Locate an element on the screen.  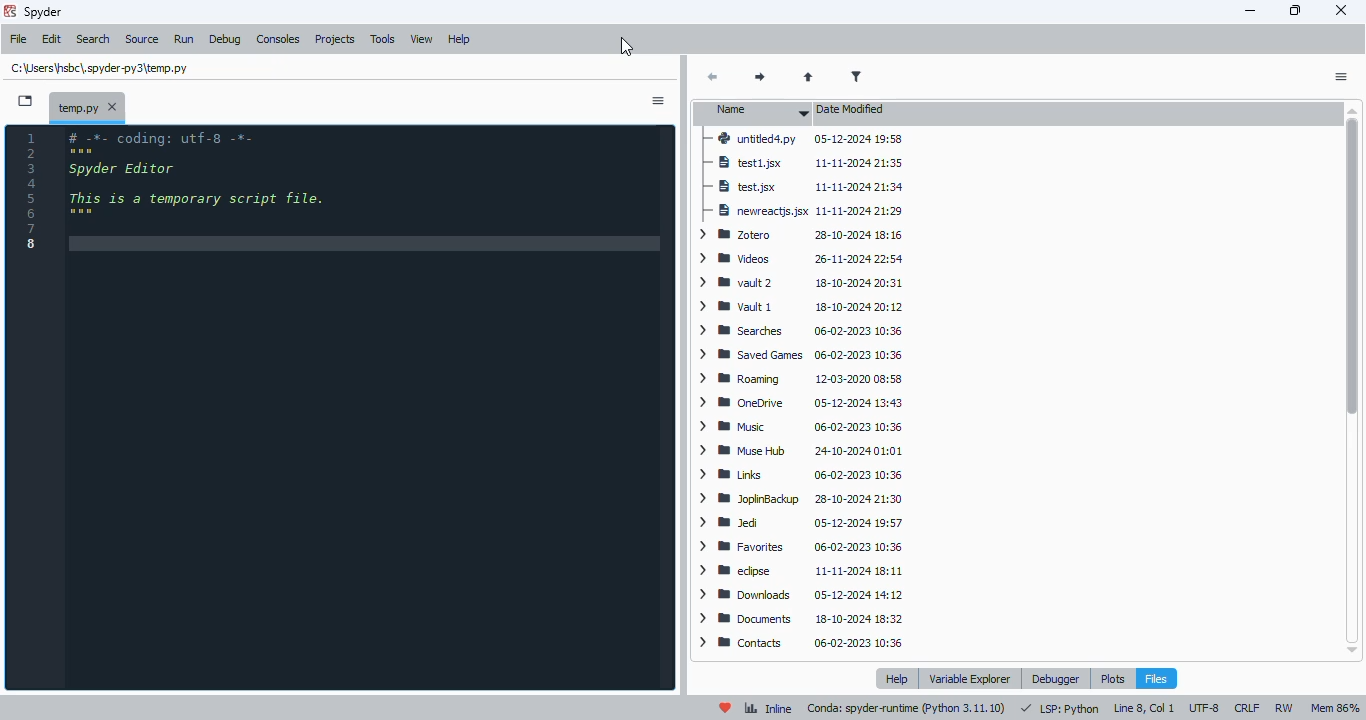
minimize is located at coordinates (1249, 11).